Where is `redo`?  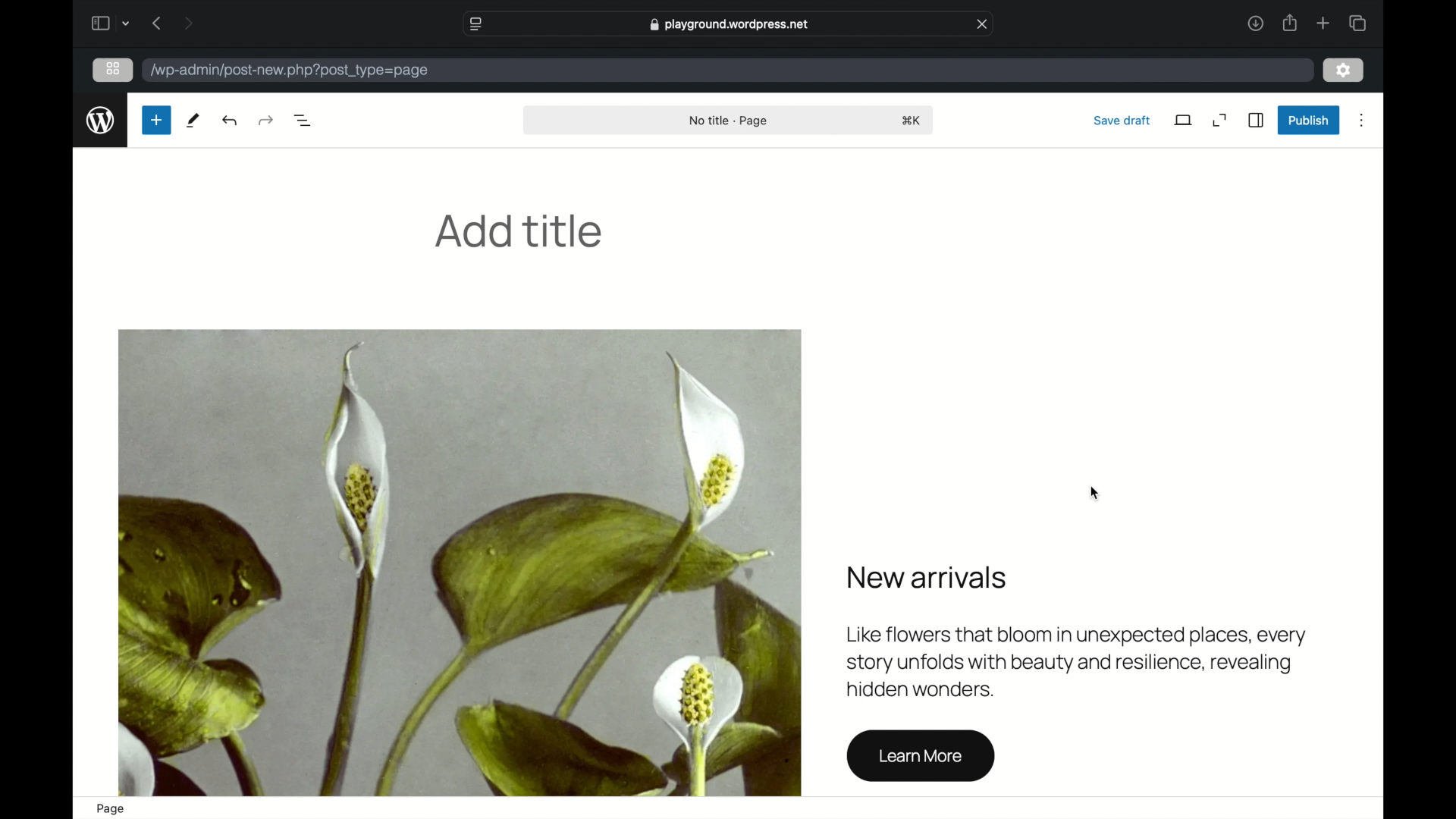 redo is located at coordinates (231, 121).